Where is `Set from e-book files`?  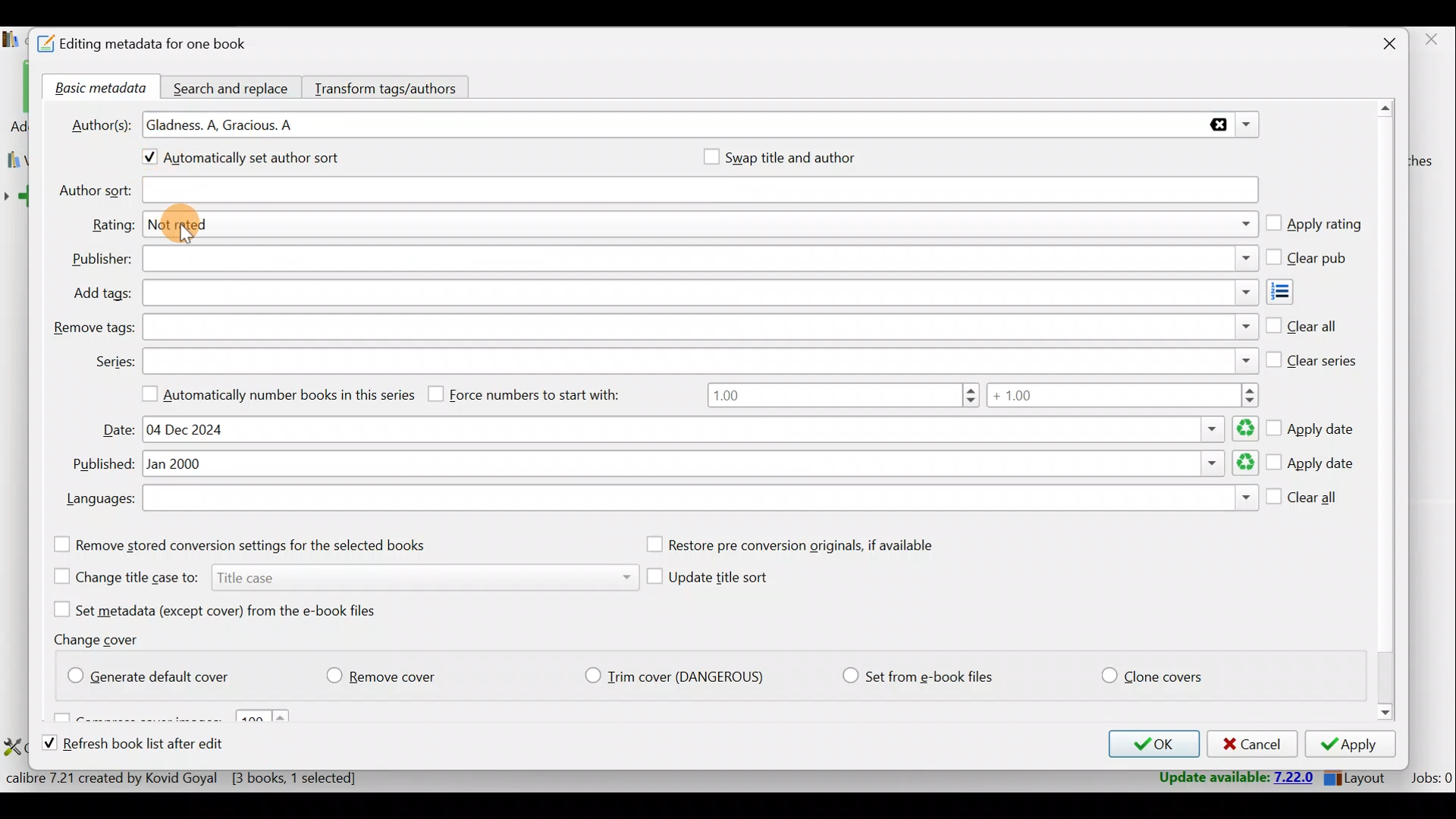
Set from e-book files is located at coordinates (917, 676).